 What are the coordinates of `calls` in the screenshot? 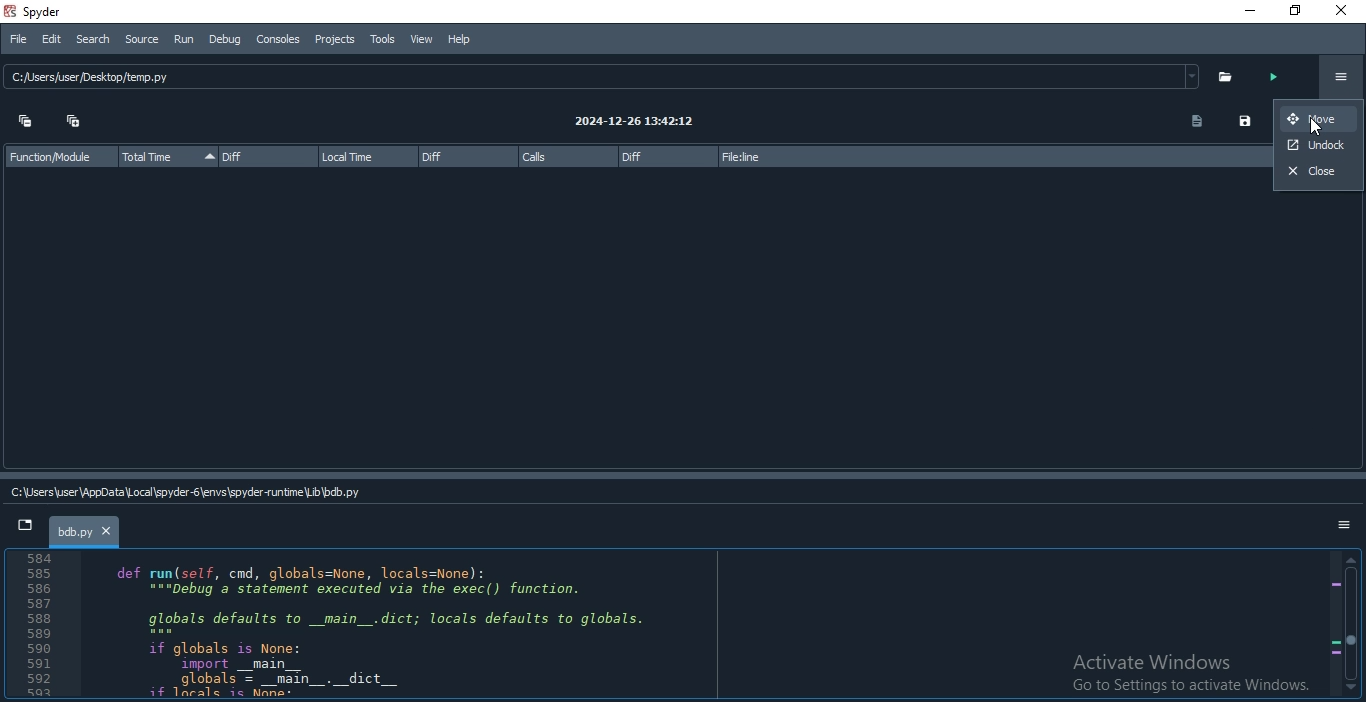 It's located at (564, 156).